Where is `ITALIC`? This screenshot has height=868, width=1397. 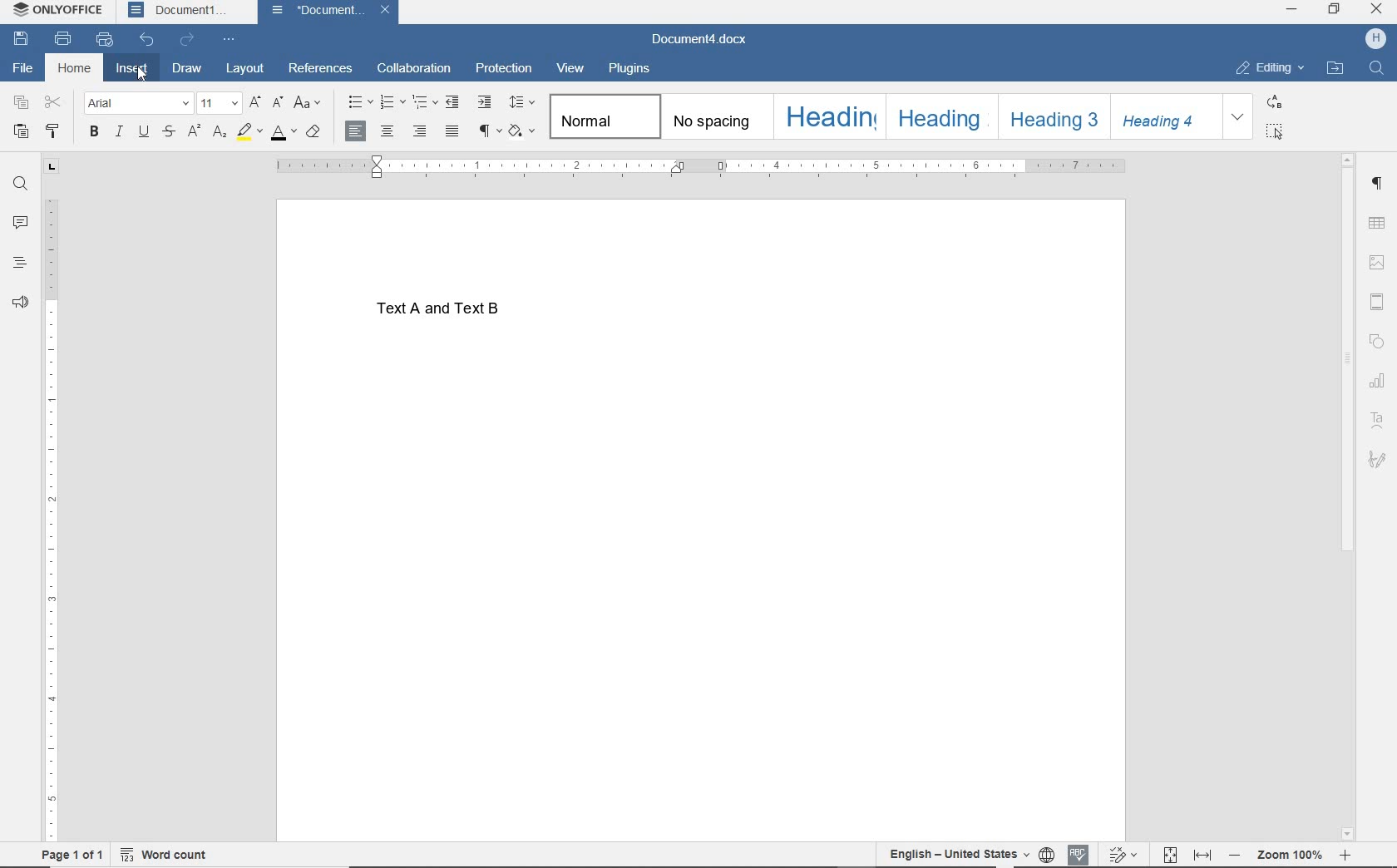
ITALIC is located at coordinates (118, 132).